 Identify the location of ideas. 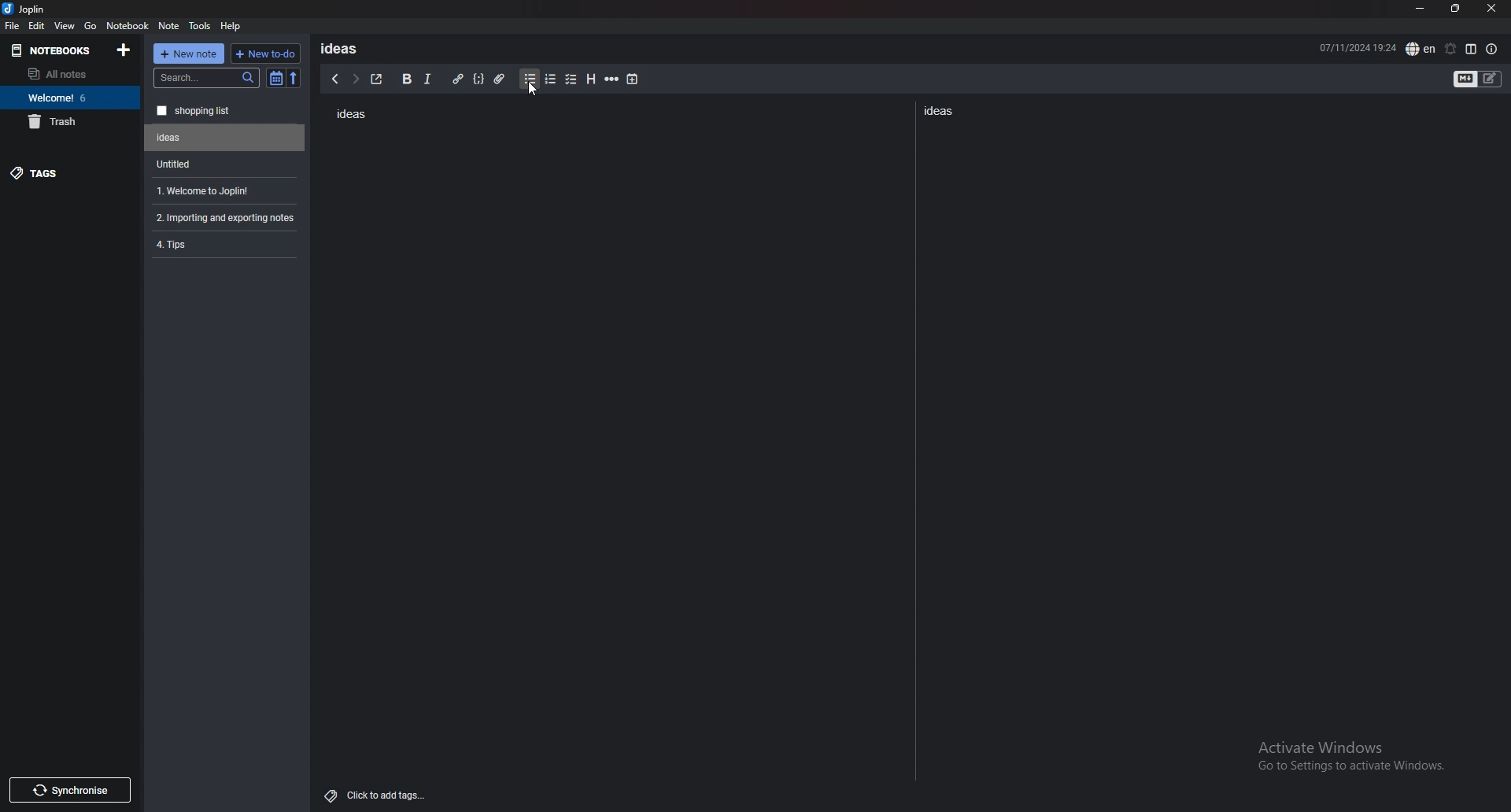
(350, 115).